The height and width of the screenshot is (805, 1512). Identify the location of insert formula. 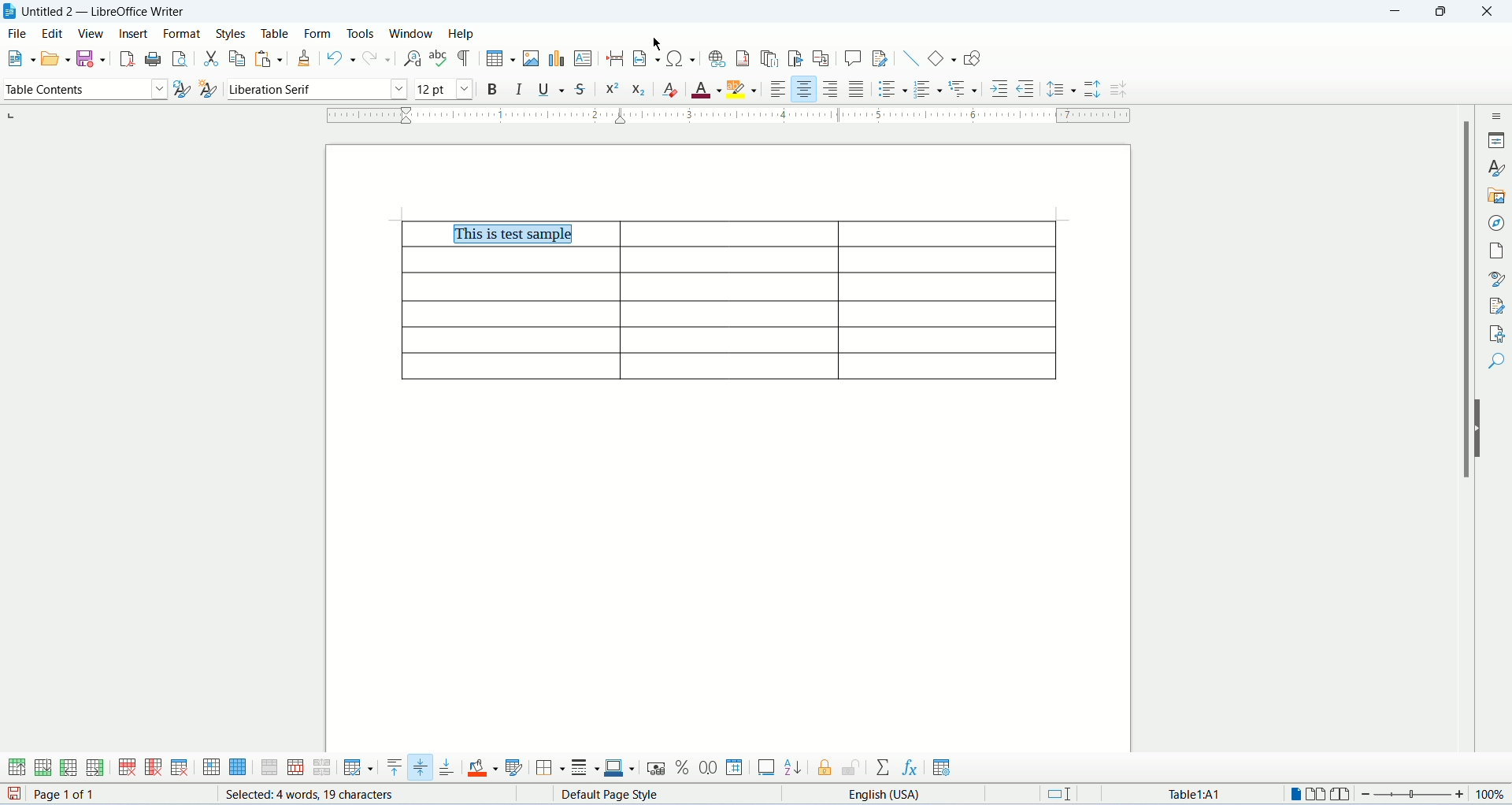
(908, 767).